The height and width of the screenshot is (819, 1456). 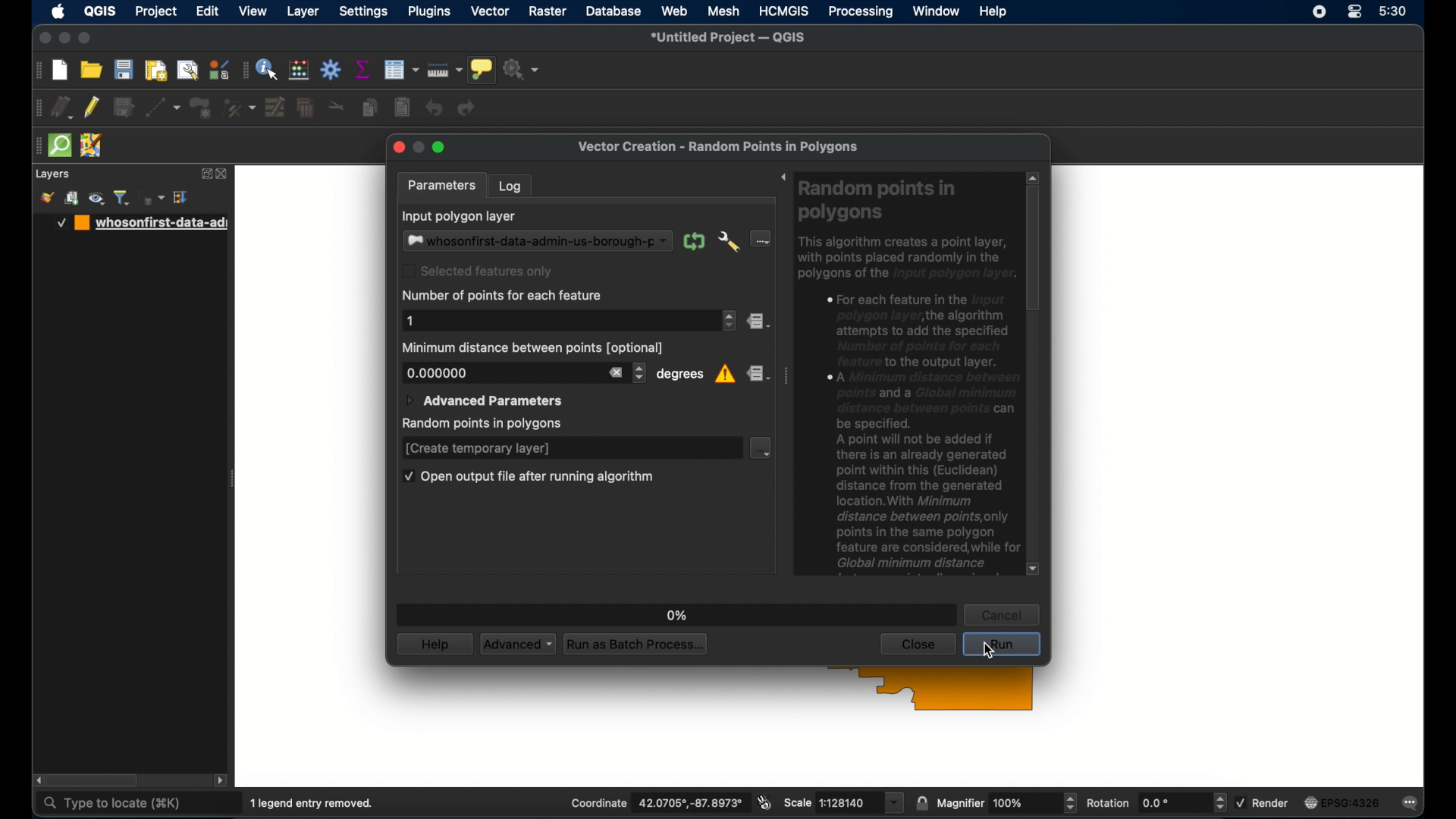 I want to click on database, so click(x=613, y=11).